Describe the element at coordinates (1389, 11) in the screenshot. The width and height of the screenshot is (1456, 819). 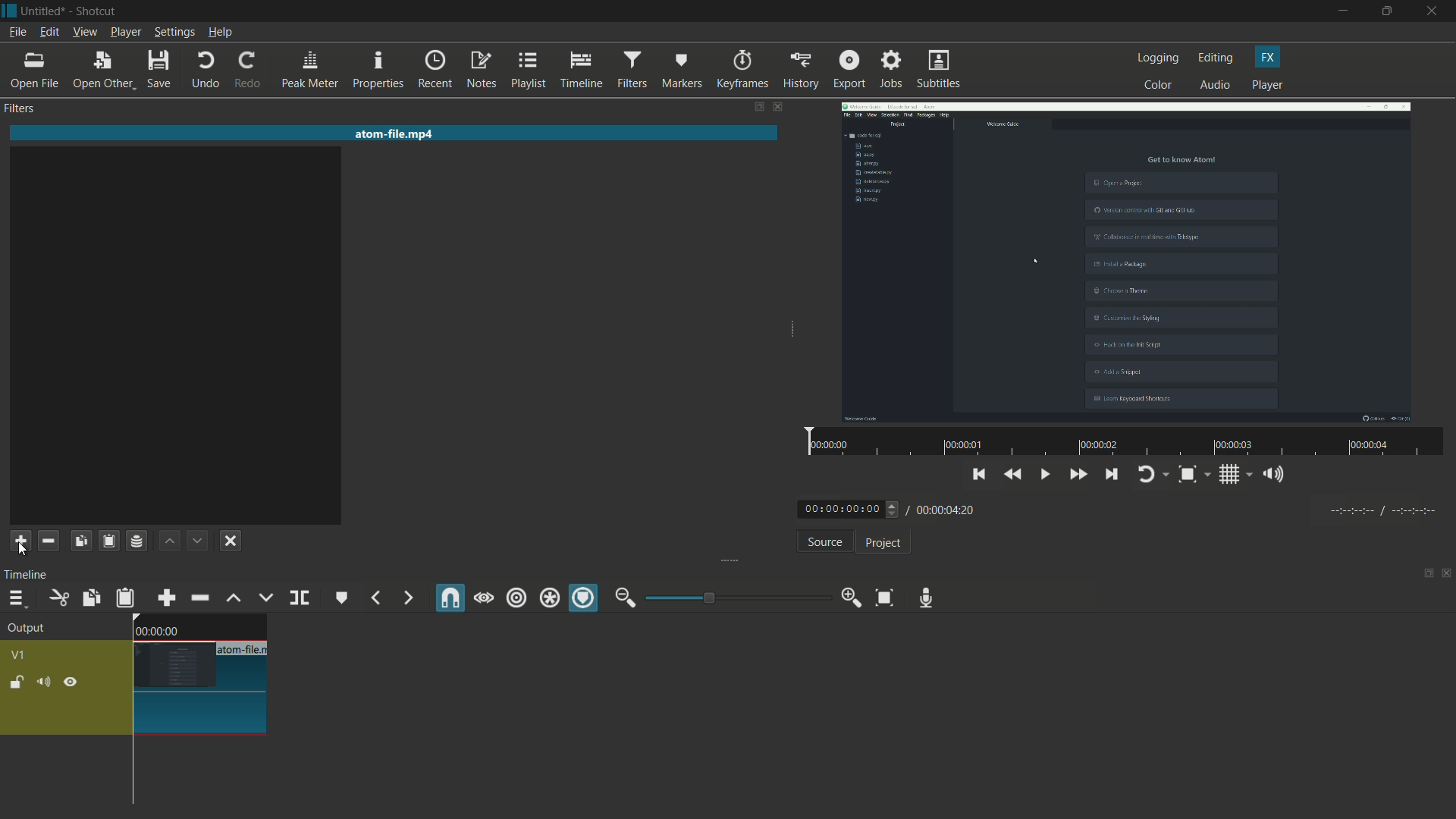
I see `maximize` at that location.